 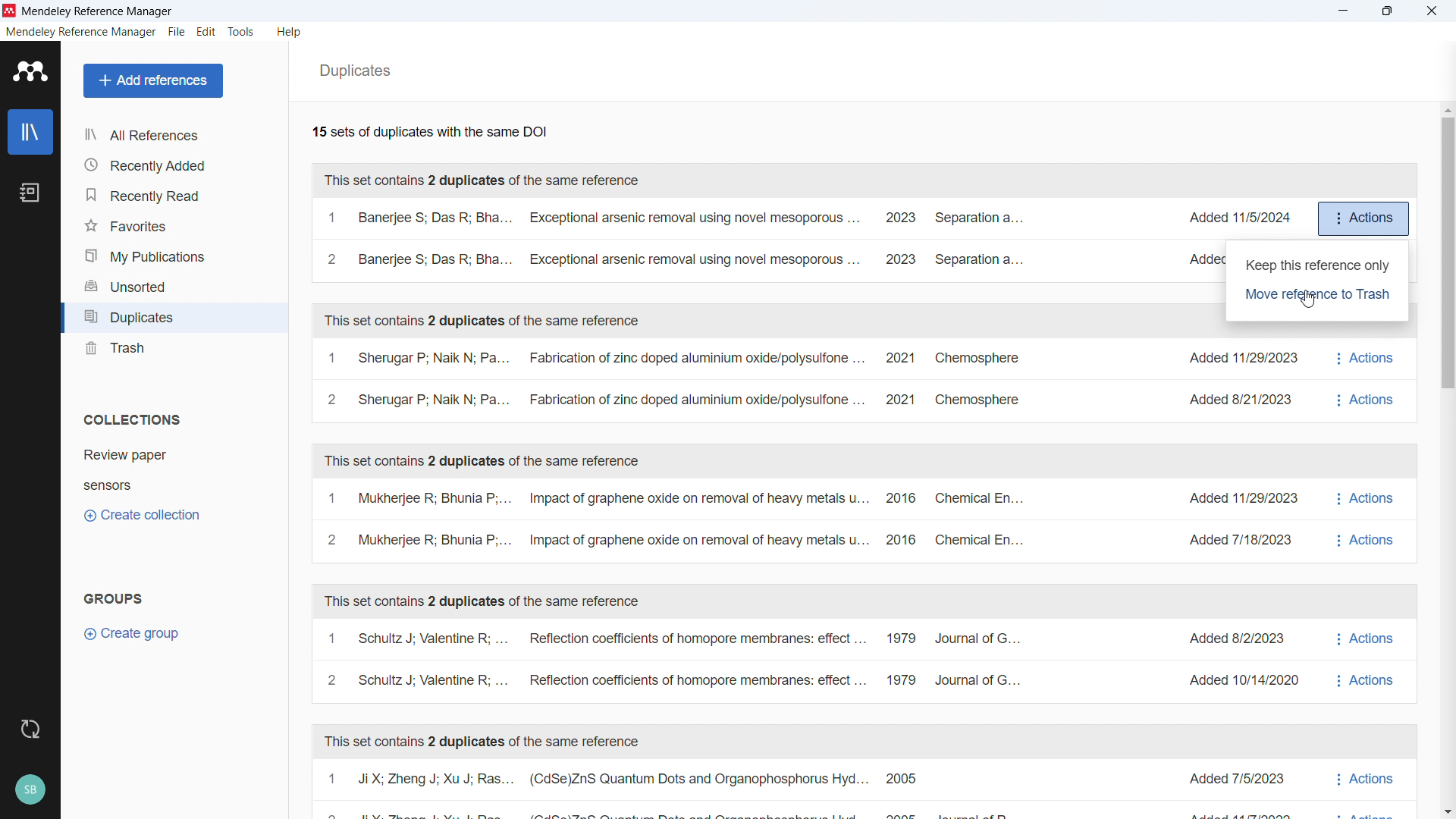 What do you see at coordinates (1344, 11) in the screenshot?
I see `minimise ` at bounding box center [1344, 11].